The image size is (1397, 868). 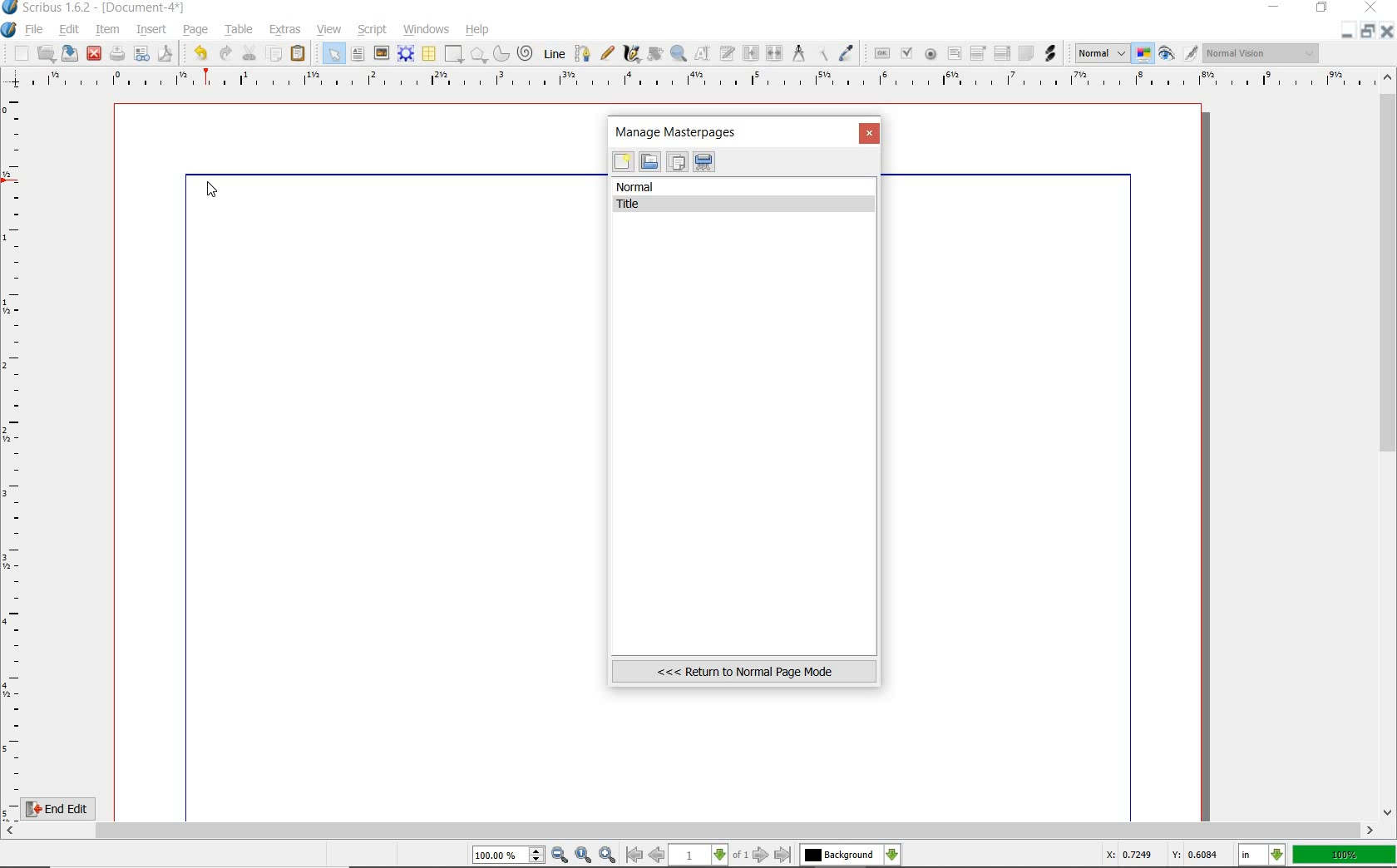 What do you see at coordinates (605, 54) in the screenshot?
I see `freehand line` at bounding box center [605, 54].